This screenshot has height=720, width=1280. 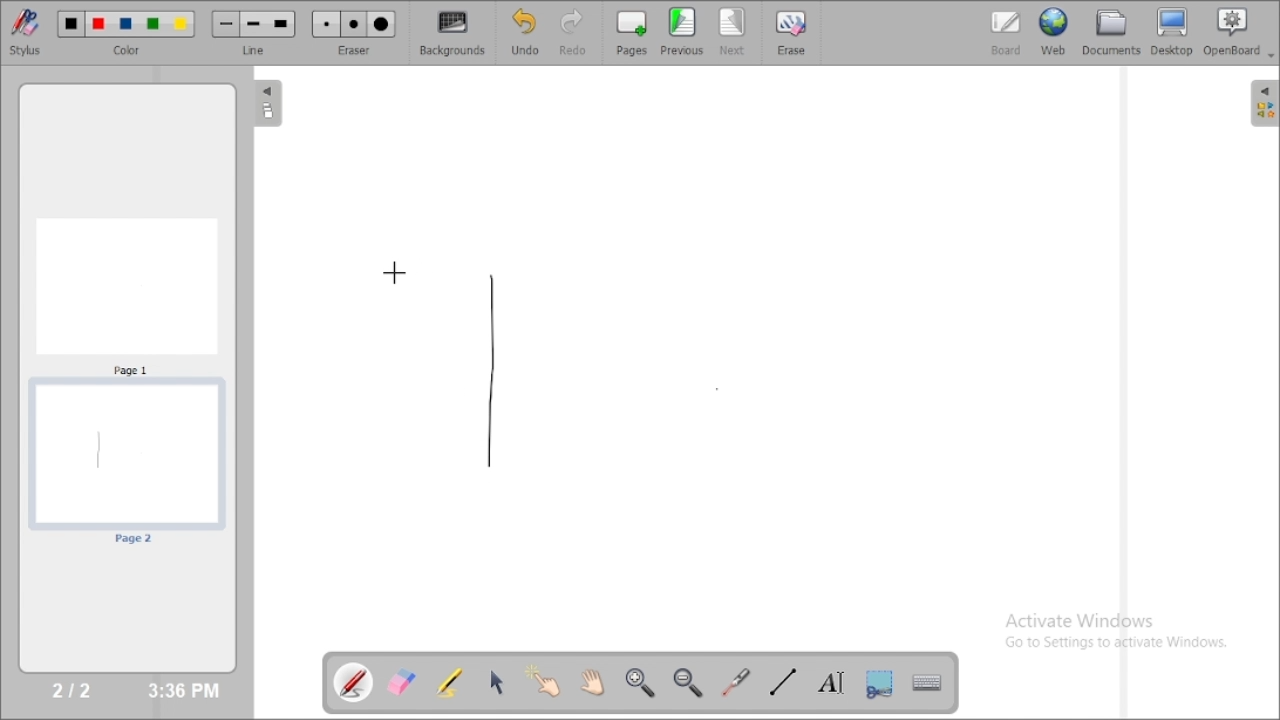 What do you see at coordinates (25, 31) in the screenshot?
I see `stylus` at bounding box center [25, 31].